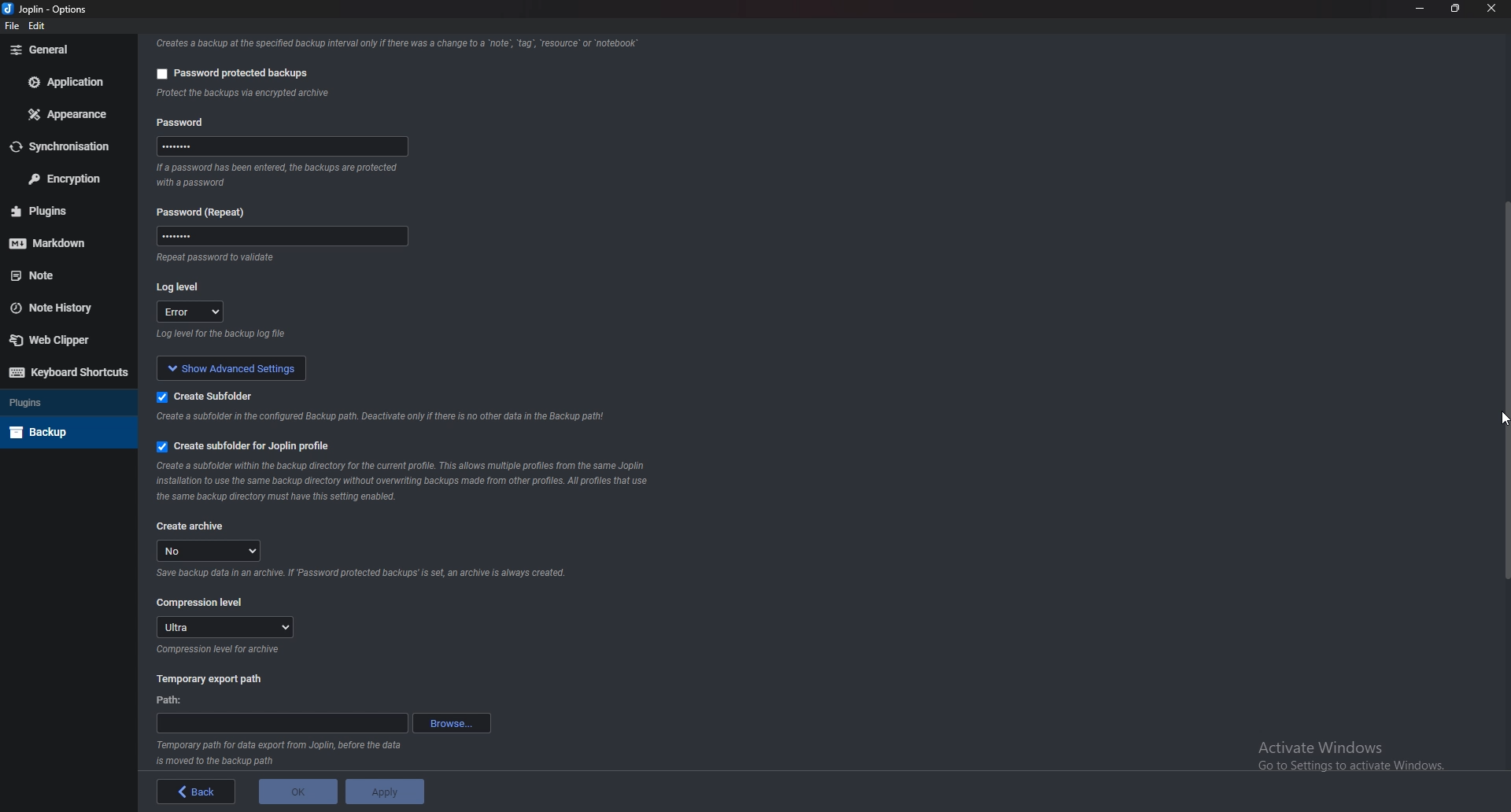 The width and height of the screenshot is (1511, 812). What do you see at coordinates (228, 71) in the screenshot?
I see `password protected backup` at bounding box center [228, 71].